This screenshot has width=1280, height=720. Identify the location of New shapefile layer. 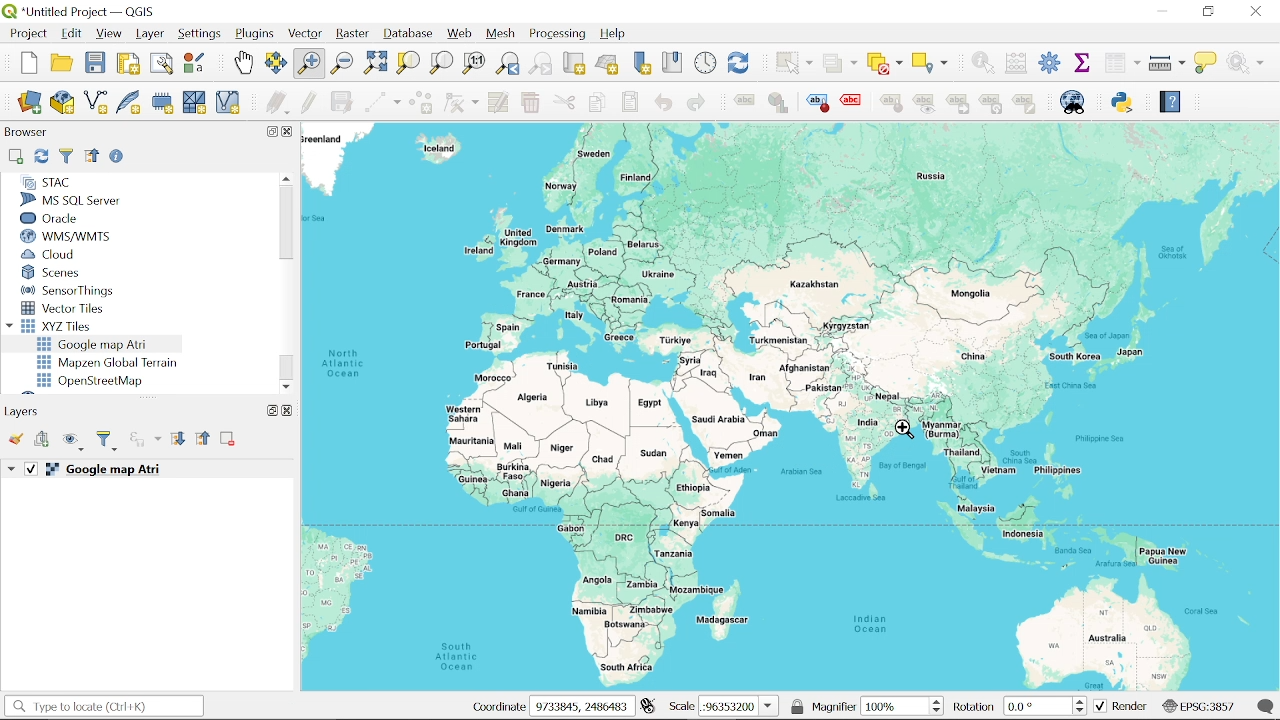
(95, 104).